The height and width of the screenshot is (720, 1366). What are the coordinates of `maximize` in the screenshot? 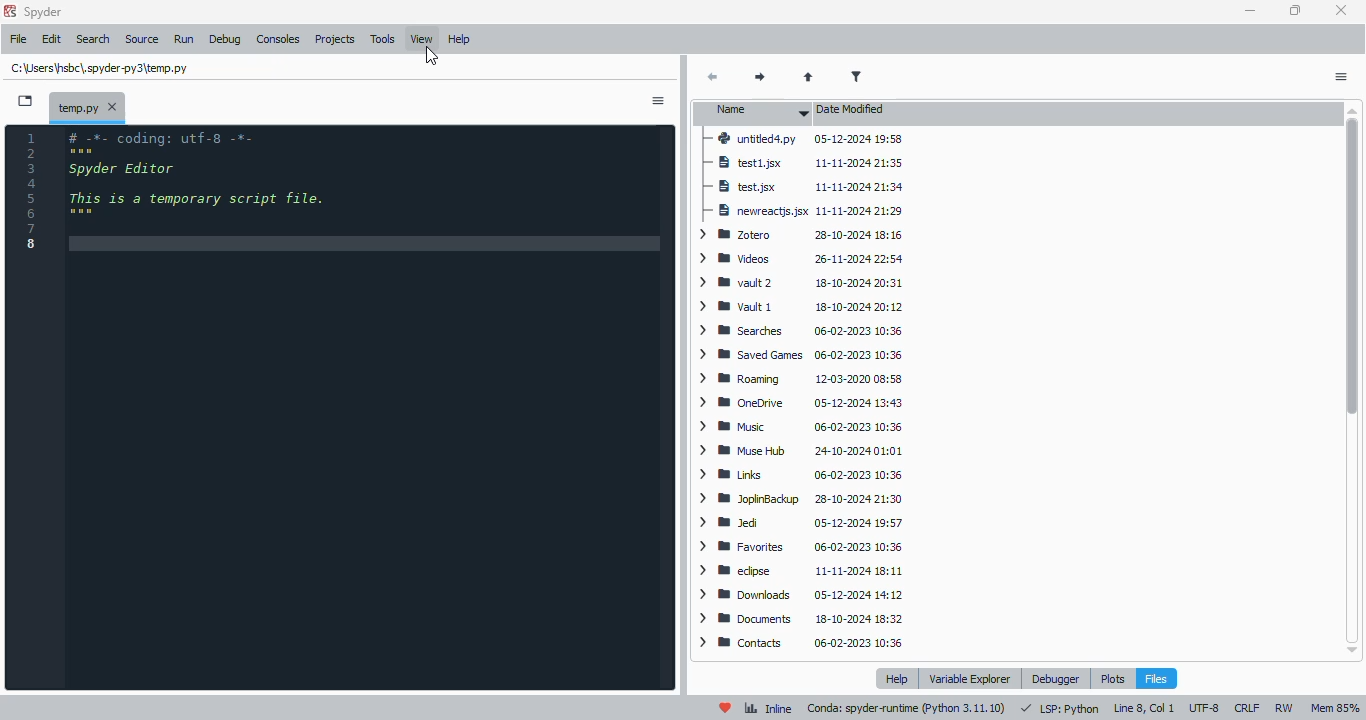 It's located at (1295, 10).